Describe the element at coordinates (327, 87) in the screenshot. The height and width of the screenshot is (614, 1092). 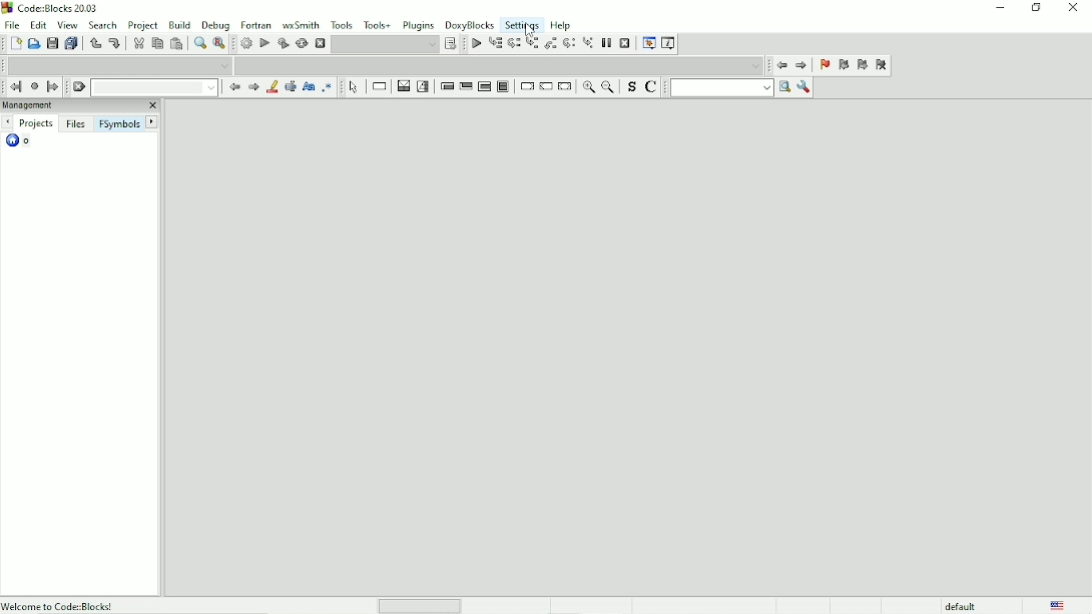
I see `Use regex` at that location.